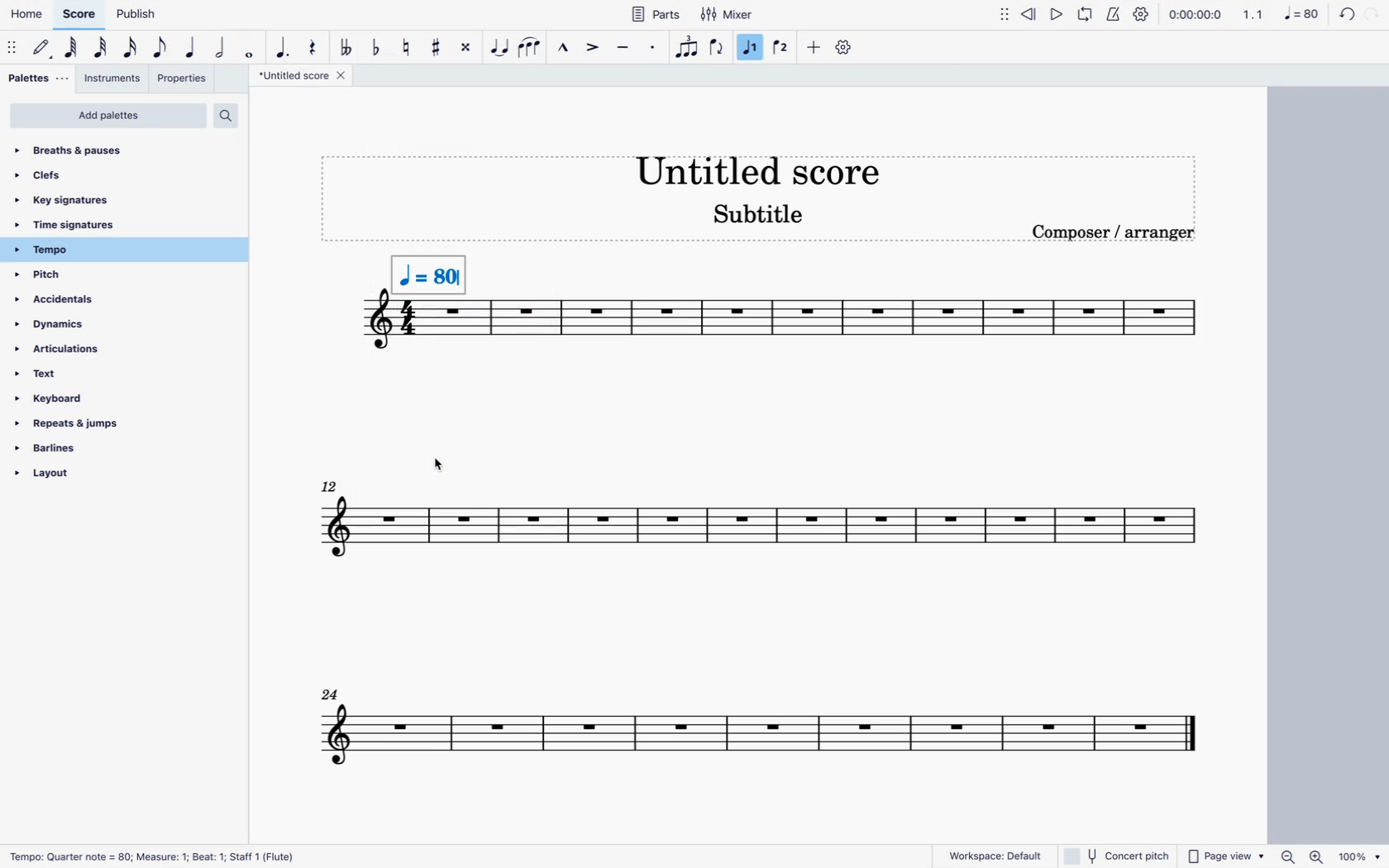 The image size is (1389, 868). What do you see at coordinates (83, 400) in the screenshot?
I see `keyboard` at bounding box center [83, 400].